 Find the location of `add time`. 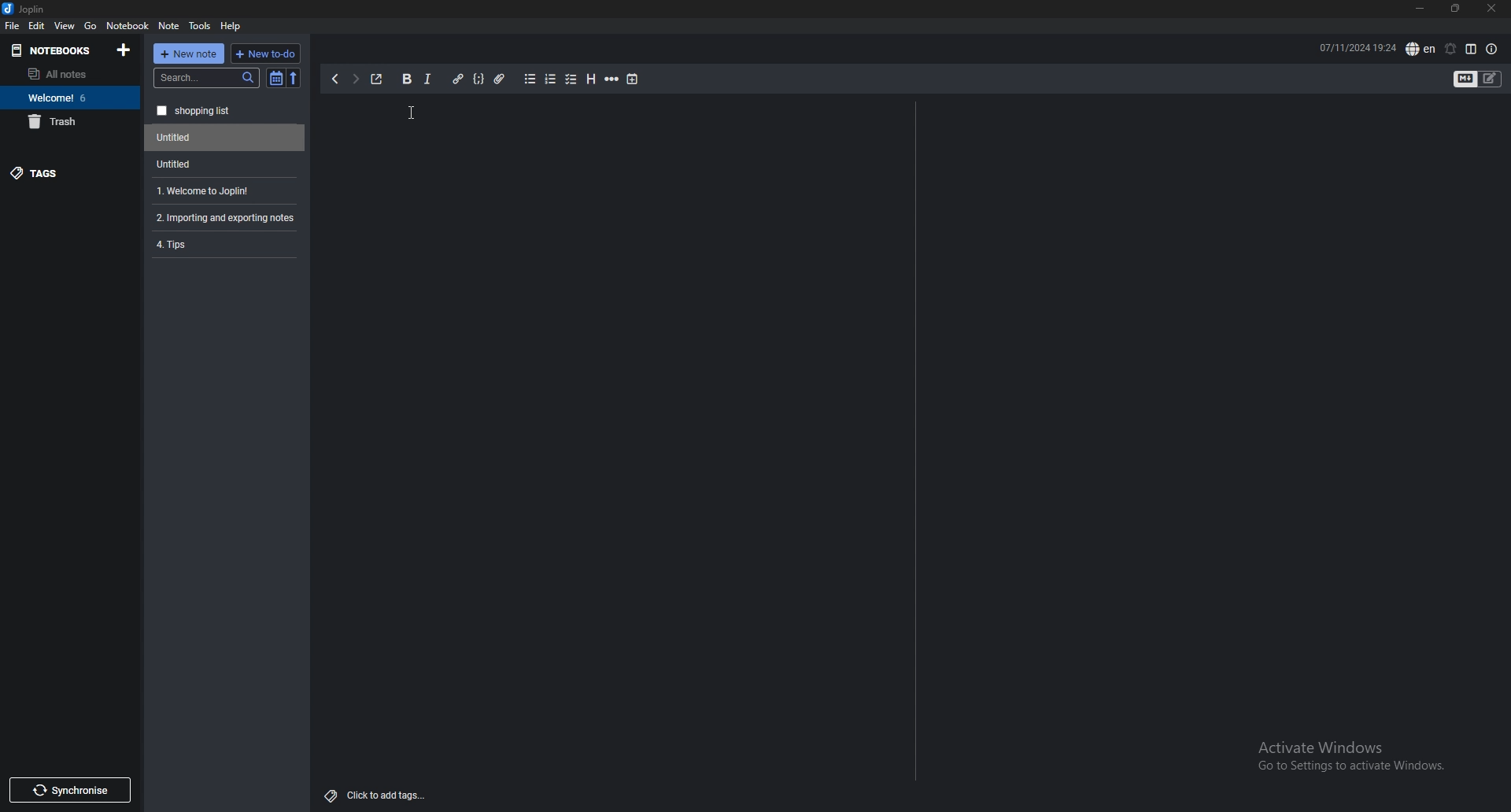

add time is located at coordinates (634, 79).